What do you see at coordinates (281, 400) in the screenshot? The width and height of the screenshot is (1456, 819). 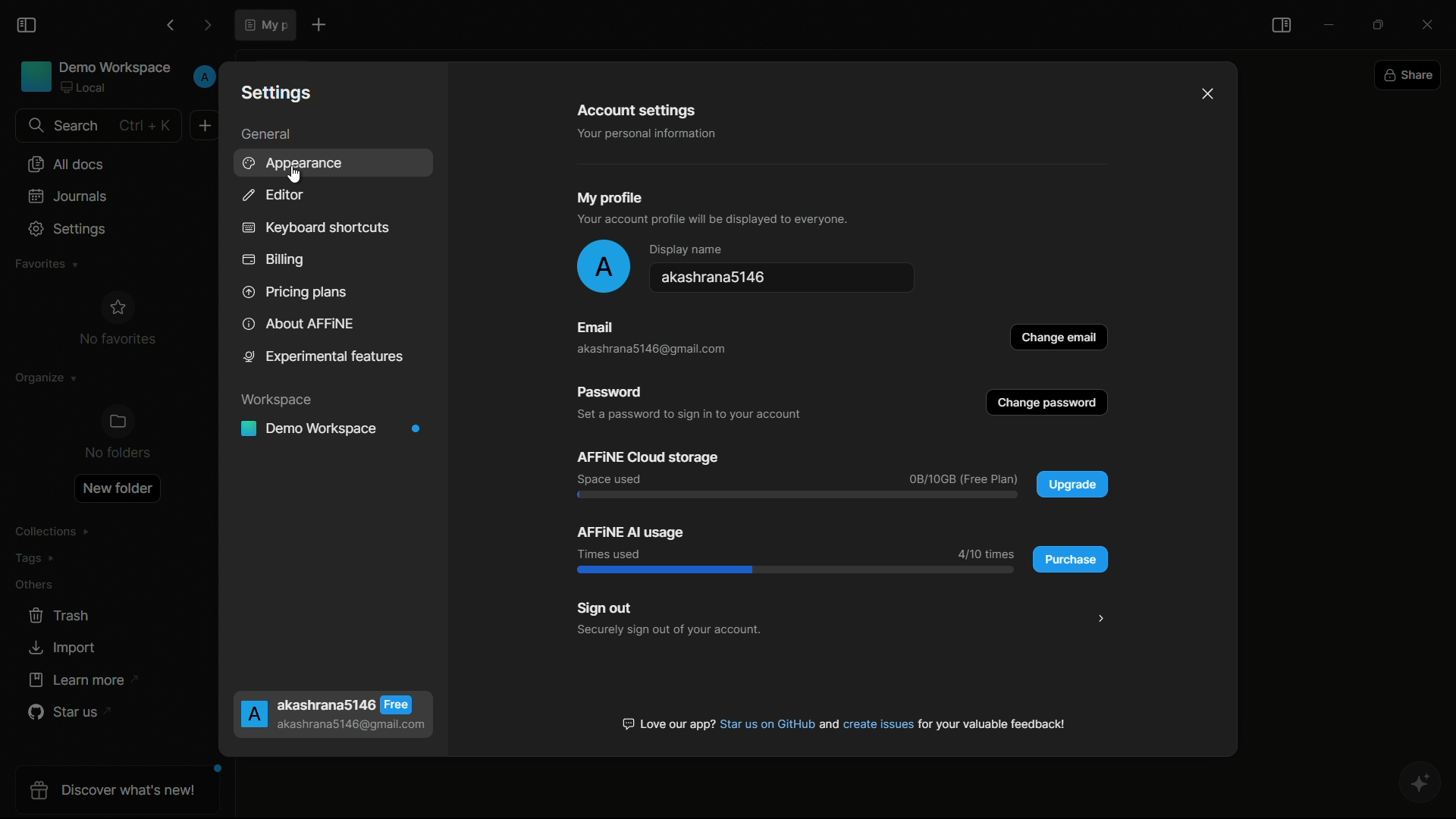 I see `workspace` at bounding box center [281, 400].